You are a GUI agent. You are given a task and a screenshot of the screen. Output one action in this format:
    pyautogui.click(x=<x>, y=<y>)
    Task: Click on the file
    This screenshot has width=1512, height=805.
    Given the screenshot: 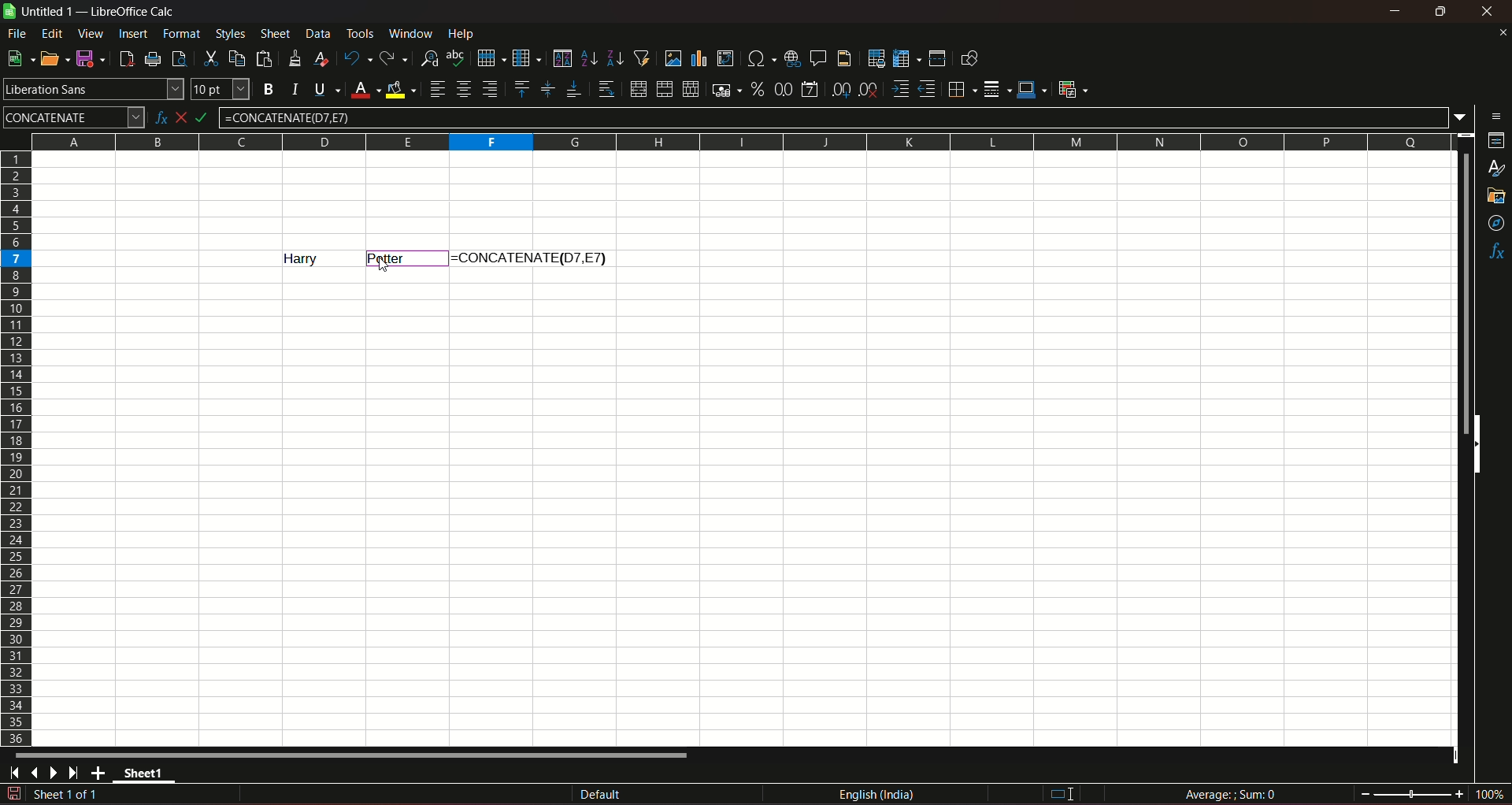 What is the action you would take?
    pyautogui.click(x=18, y=33)
    